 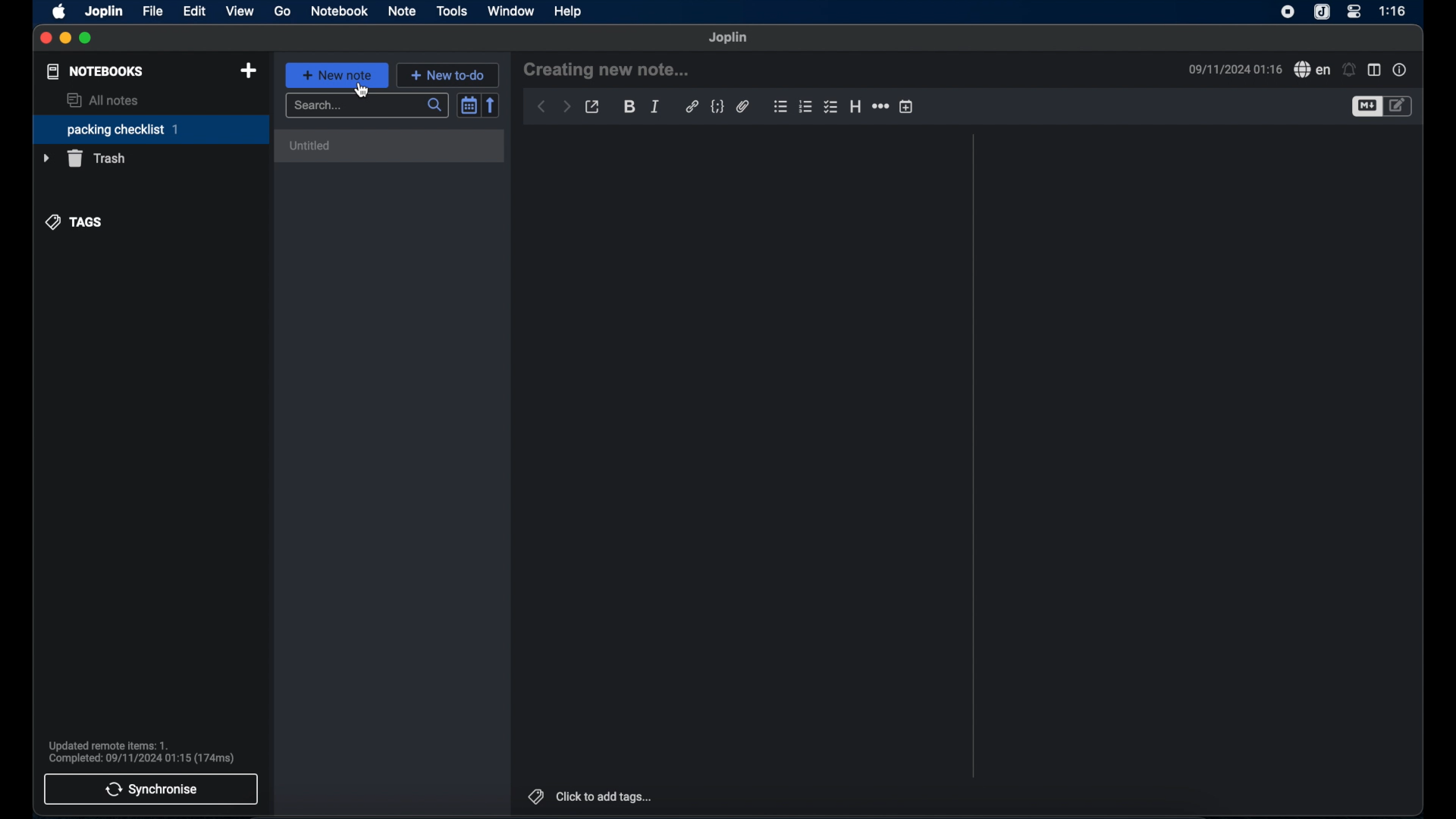 What do you see at coordinates (105, 100) in the screenshot?
I see `all notes` at bounding box center [105, 100].